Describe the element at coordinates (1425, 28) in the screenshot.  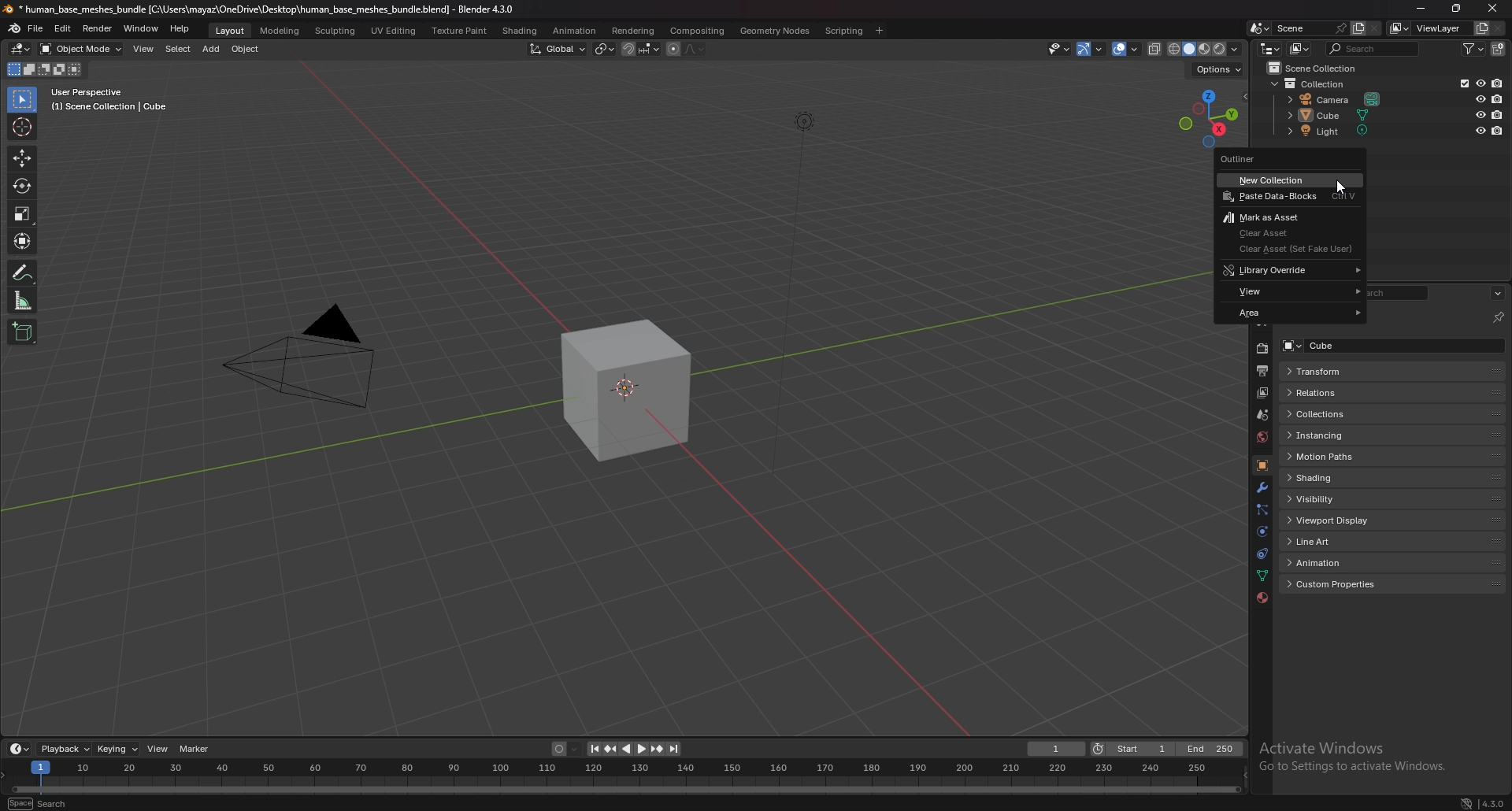
I see `view layer` at that location.